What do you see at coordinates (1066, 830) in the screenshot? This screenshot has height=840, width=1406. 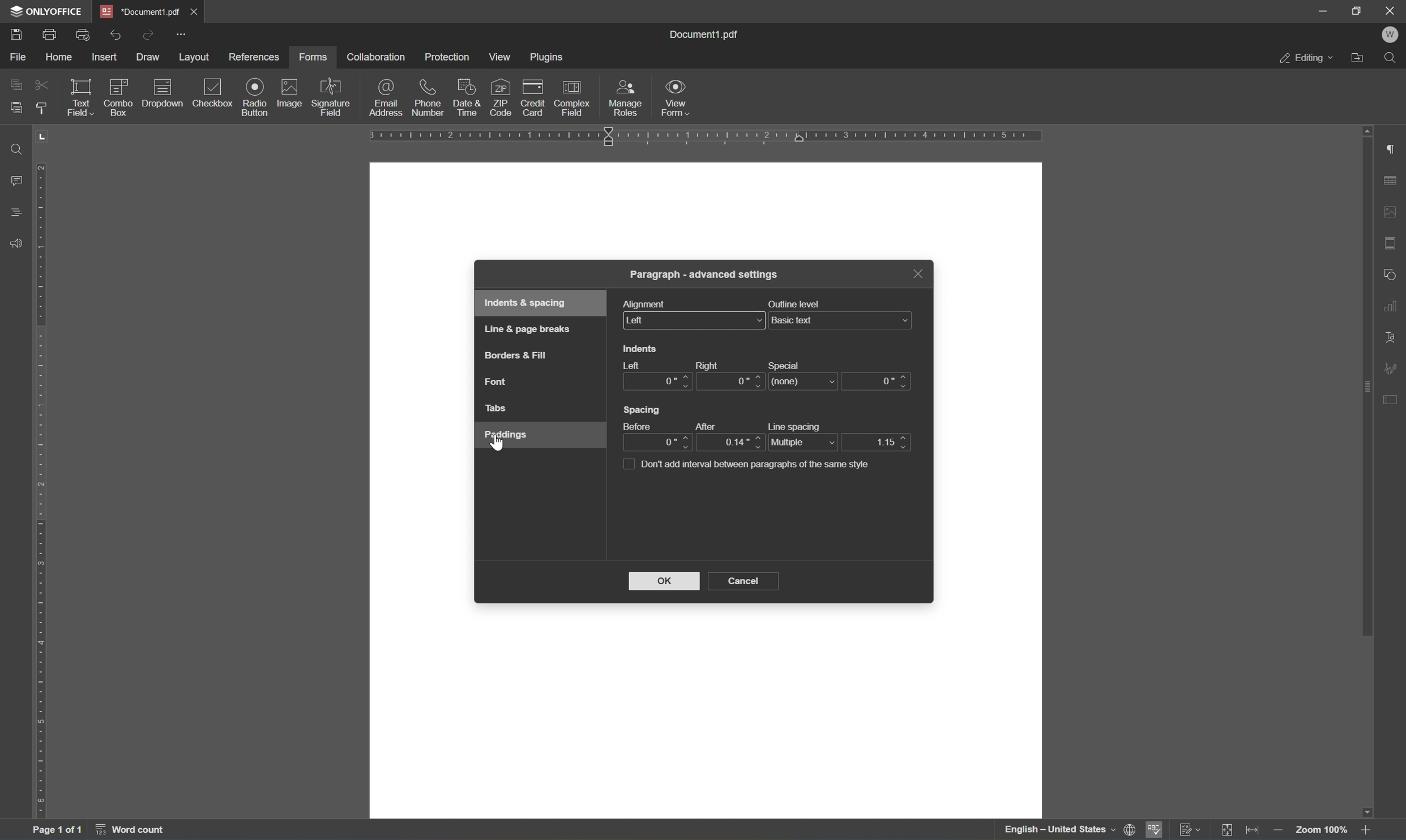 I see `set document language` at bounding box center [1066, 830].